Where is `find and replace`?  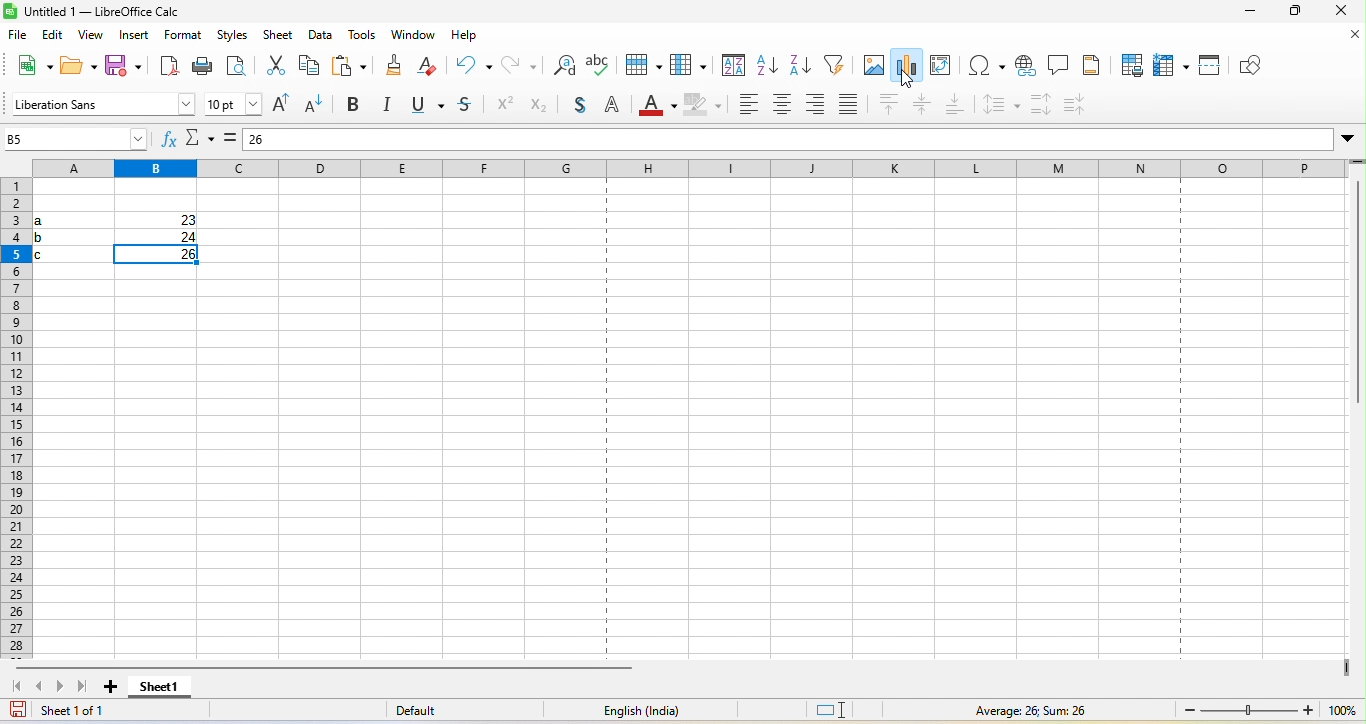 find and replace is located at coordinates (567, 64).